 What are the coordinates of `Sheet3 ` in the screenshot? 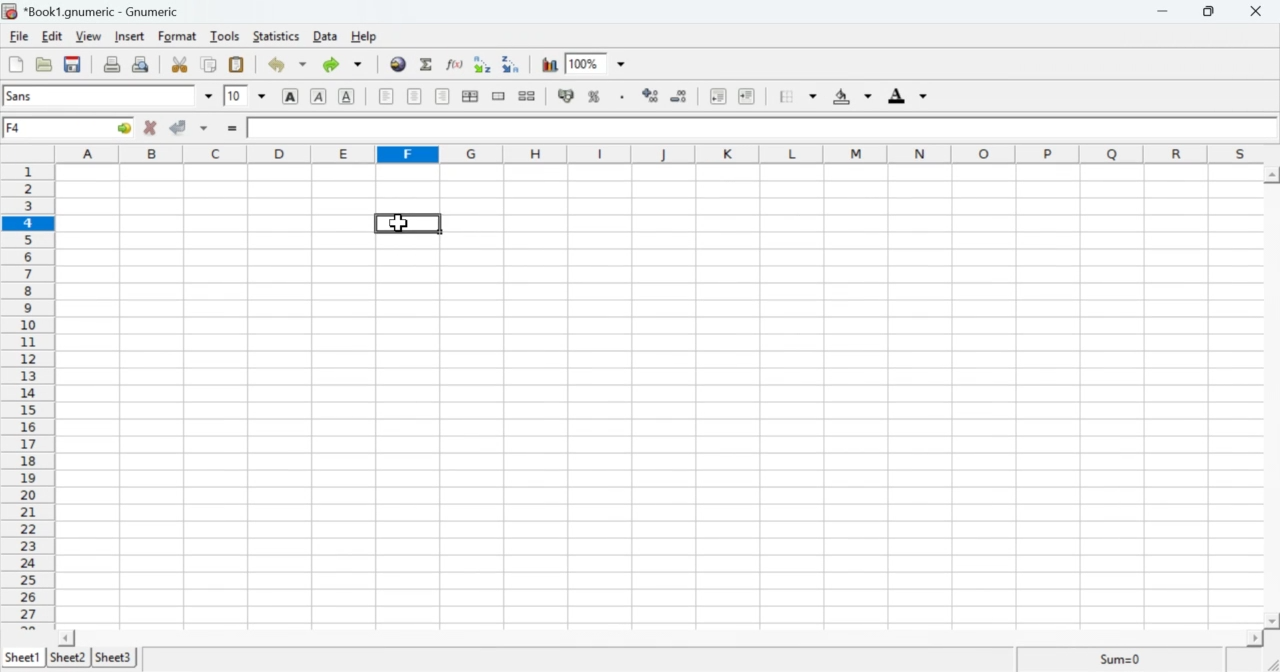 It's located at (118, 658).